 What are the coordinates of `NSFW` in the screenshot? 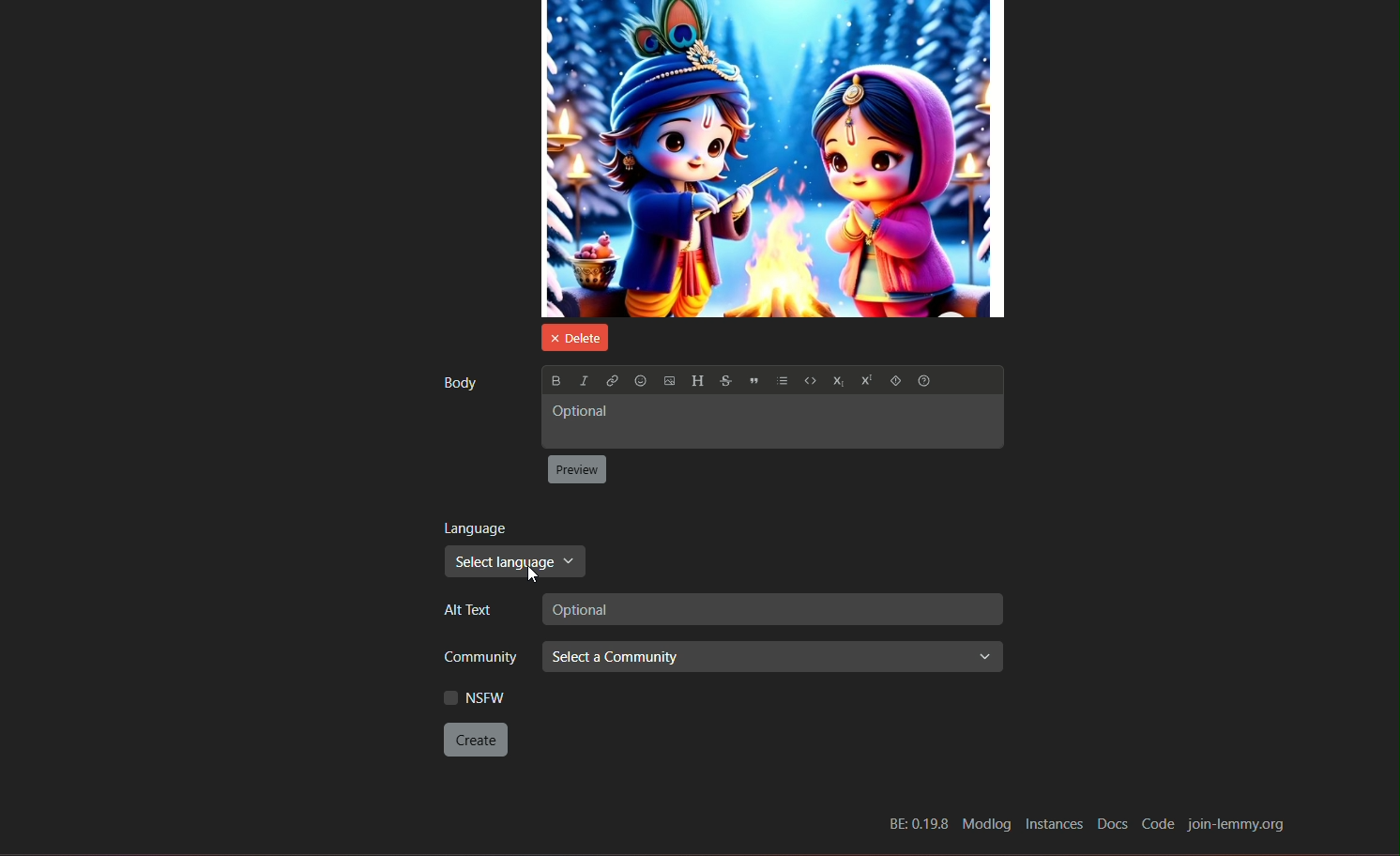 It's located at (474, 697).